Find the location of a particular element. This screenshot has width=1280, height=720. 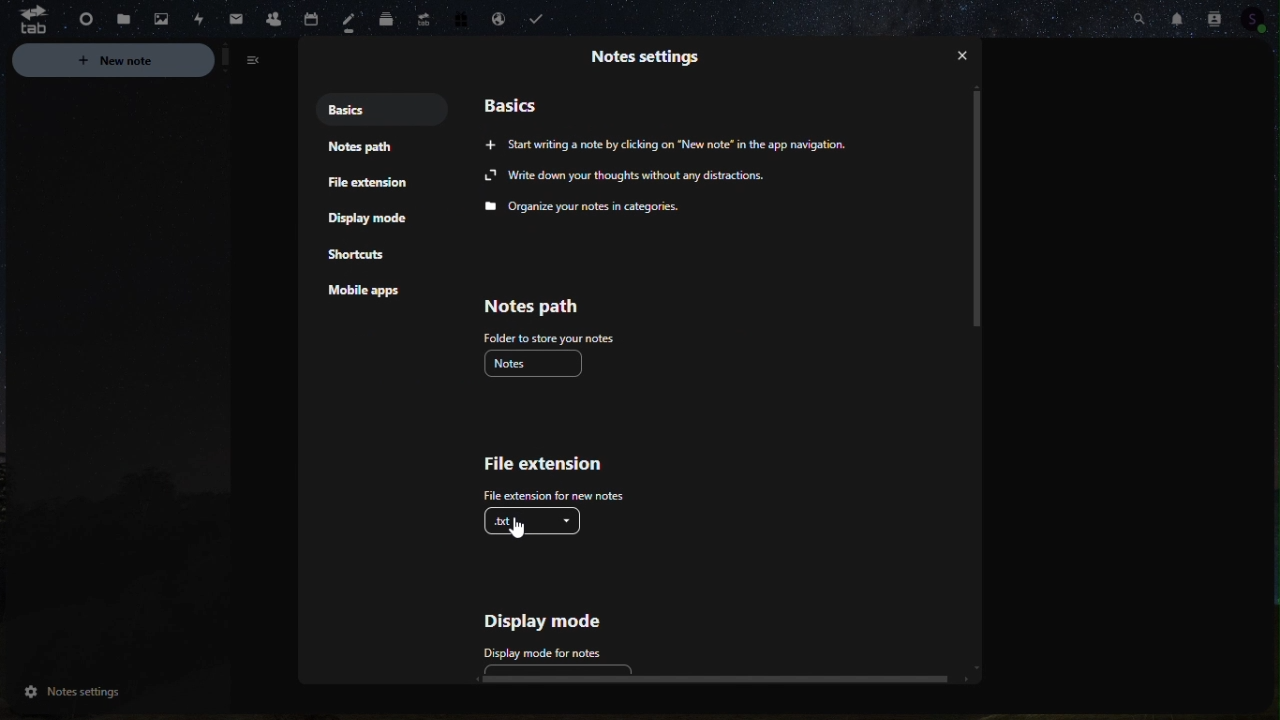

Contacts is located at coordinates (1214, 17).